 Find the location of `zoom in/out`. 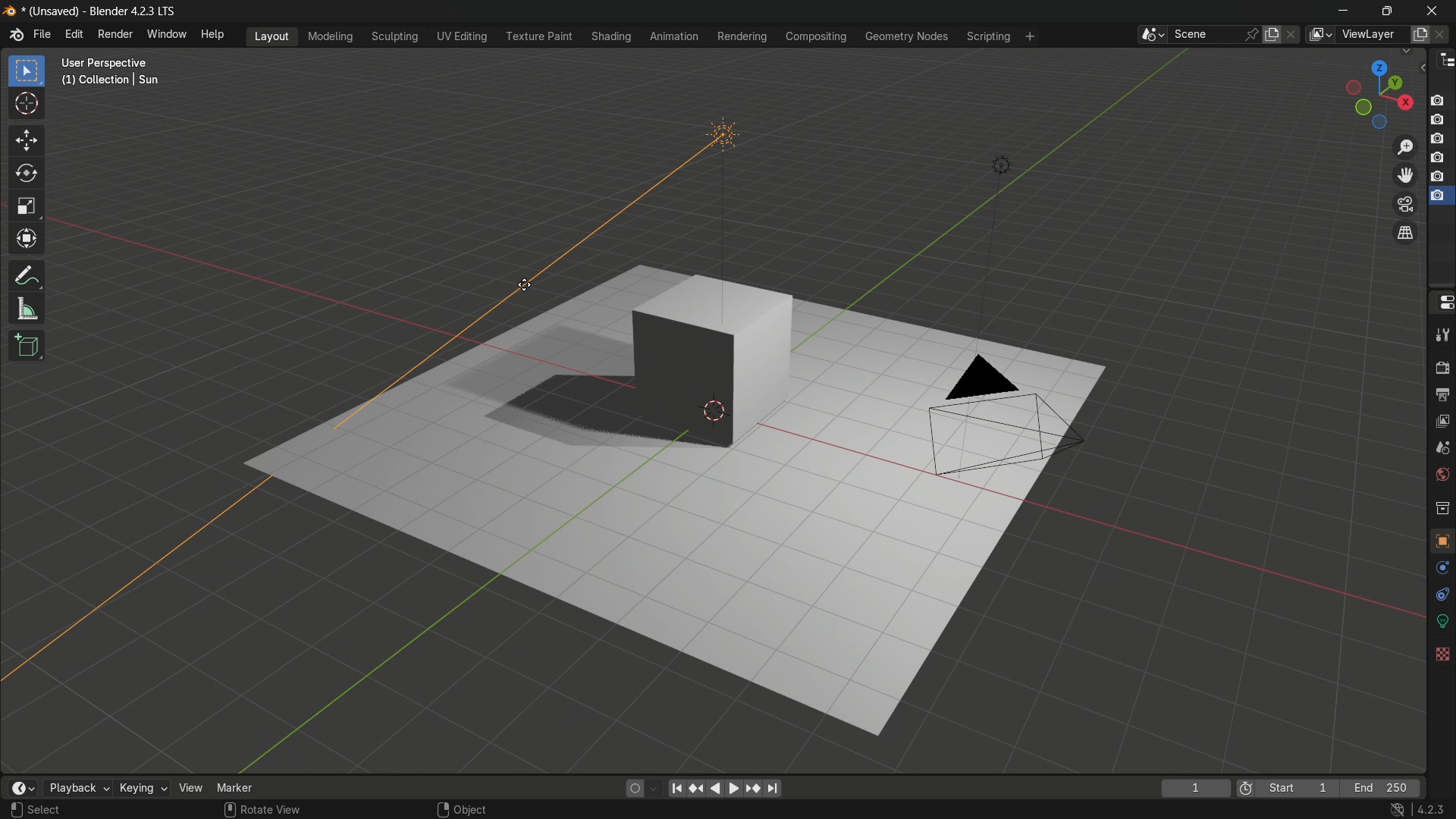

zoom in/out is located at coordinates (1406, 147).